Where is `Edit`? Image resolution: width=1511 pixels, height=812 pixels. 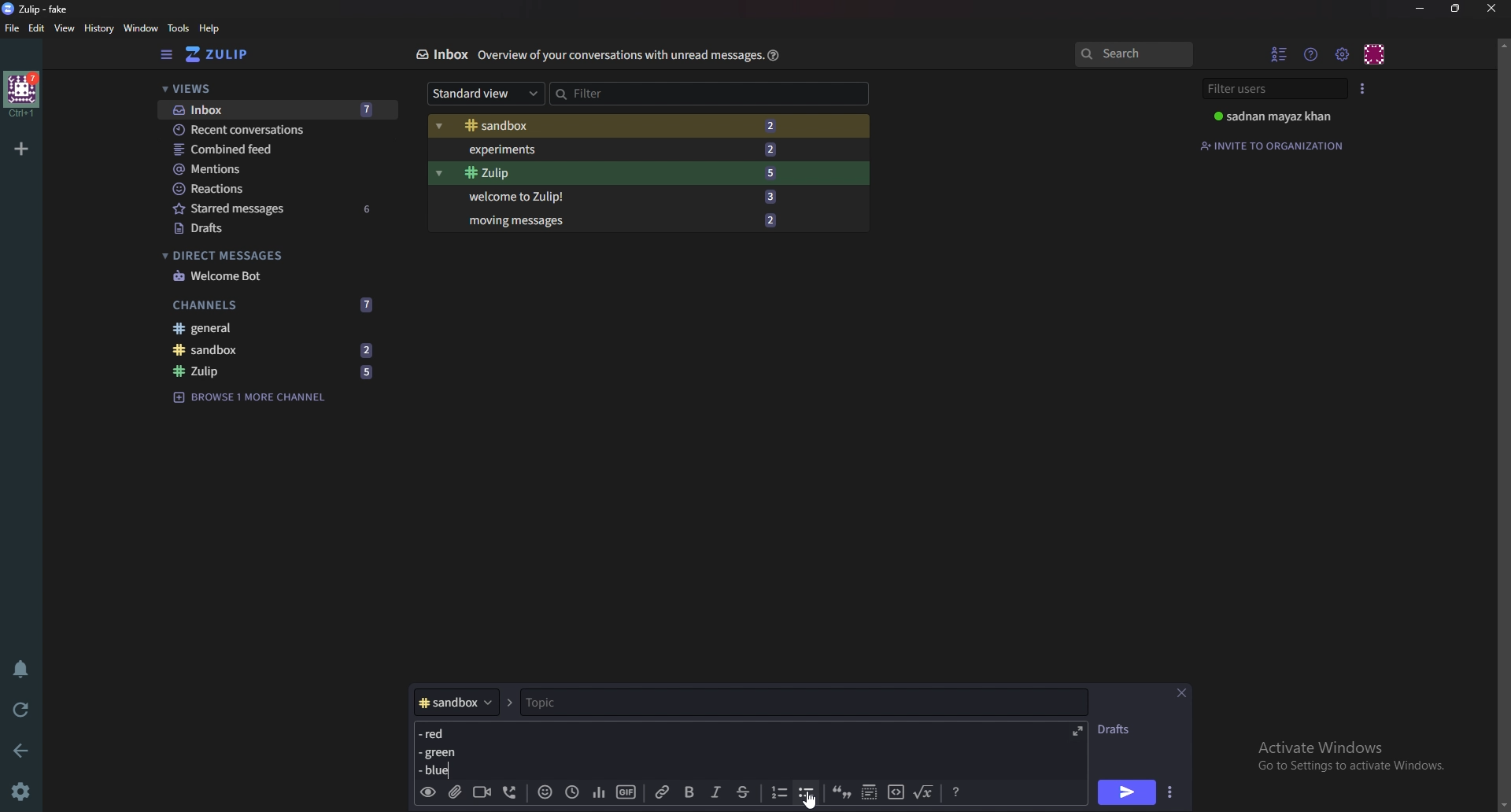
Edit is located at coordinates (37, 28).